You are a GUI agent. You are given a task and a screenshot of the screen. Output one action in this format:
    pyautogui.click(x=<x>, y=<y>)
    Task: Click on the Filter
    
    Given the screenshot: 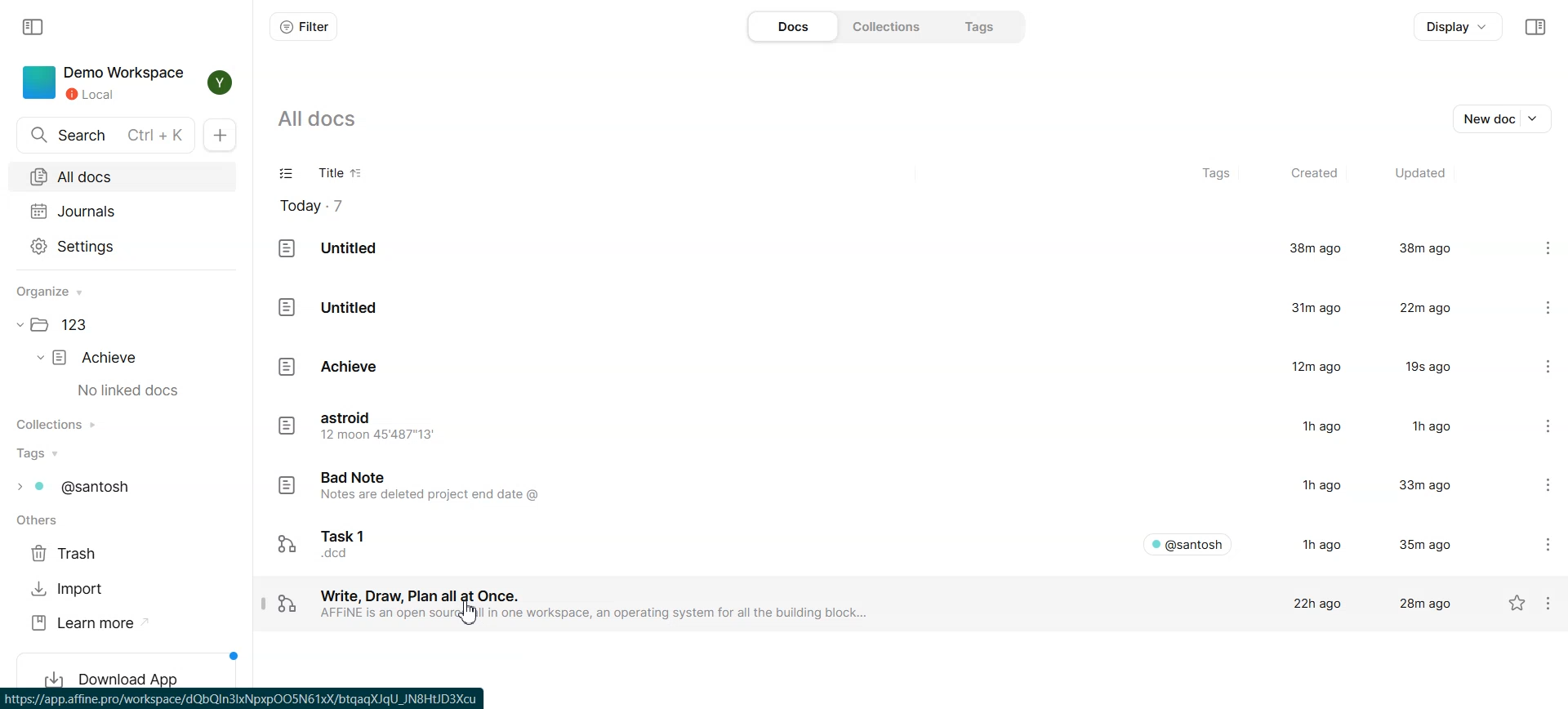 What is the action you would take?
    pyautogui.click(x=303, y=26)
    